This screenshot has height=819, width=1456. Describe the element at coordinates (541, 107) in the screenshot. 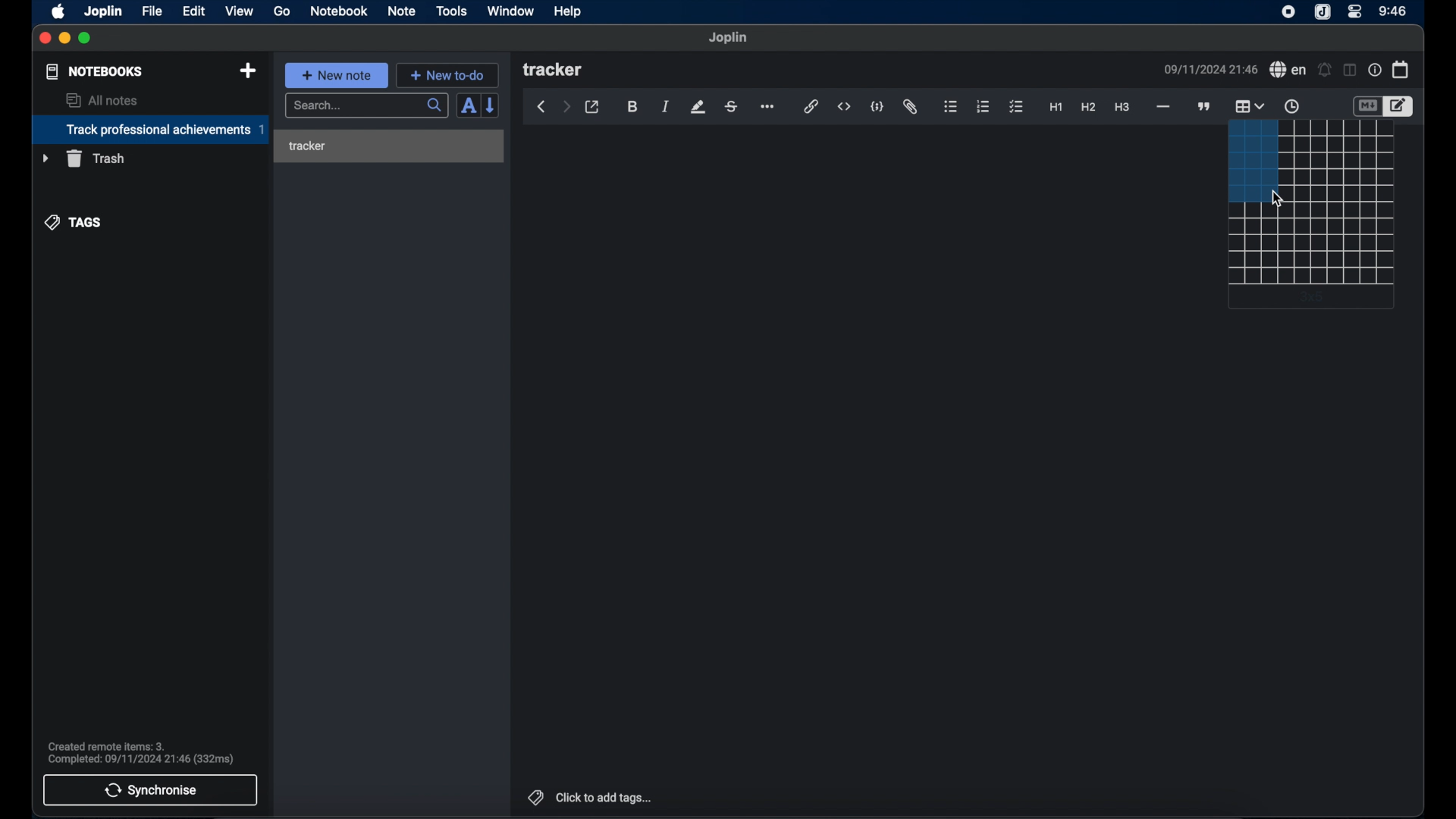

I see `back` at that location.